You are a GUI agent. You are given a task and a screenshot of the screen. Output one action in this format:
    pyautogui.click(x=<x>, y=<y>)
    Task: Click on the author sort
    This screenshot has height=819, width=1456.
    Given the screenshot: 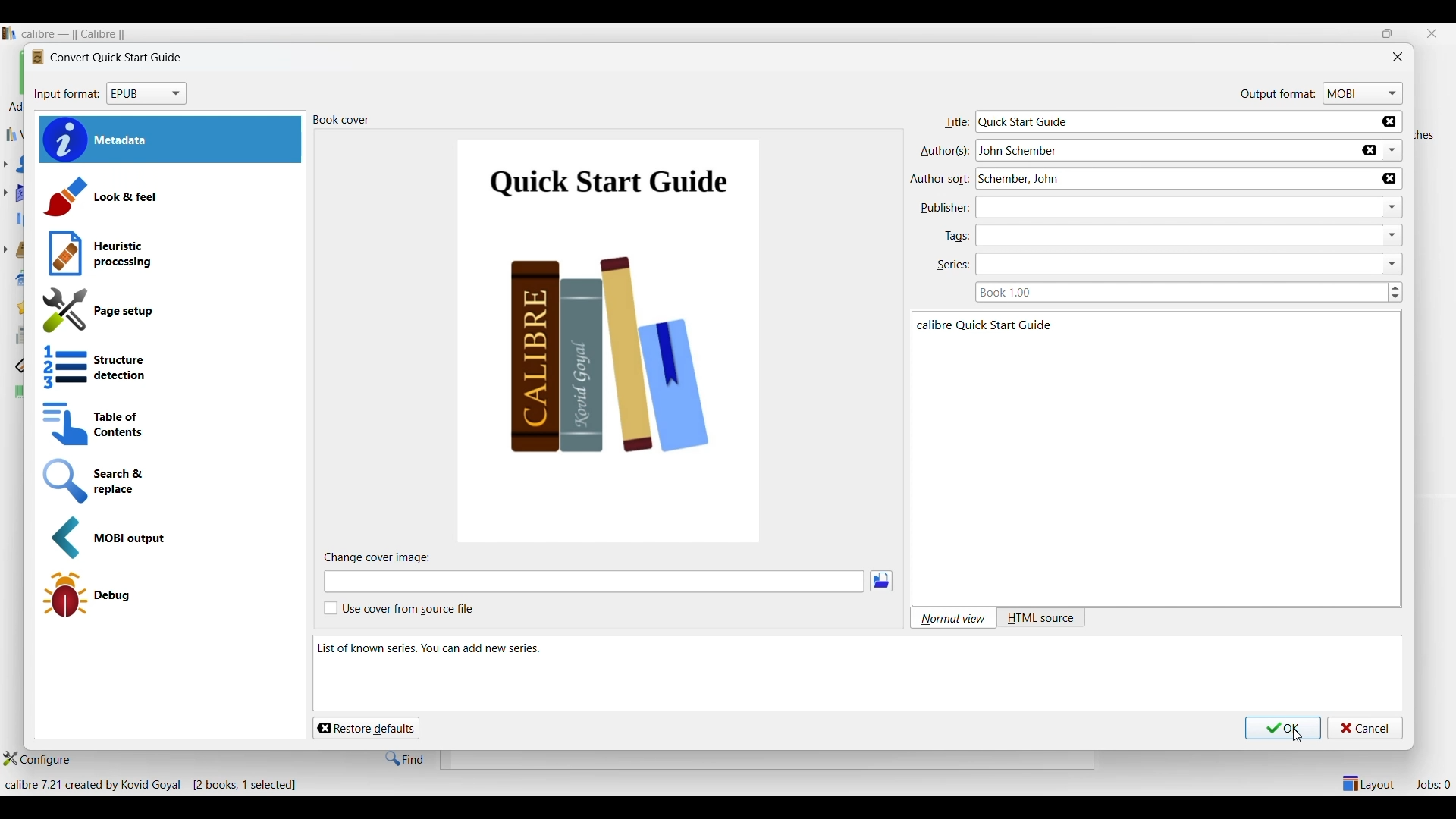 What is the action you would take?
    pyautogui.click(x=941, y=178)
    